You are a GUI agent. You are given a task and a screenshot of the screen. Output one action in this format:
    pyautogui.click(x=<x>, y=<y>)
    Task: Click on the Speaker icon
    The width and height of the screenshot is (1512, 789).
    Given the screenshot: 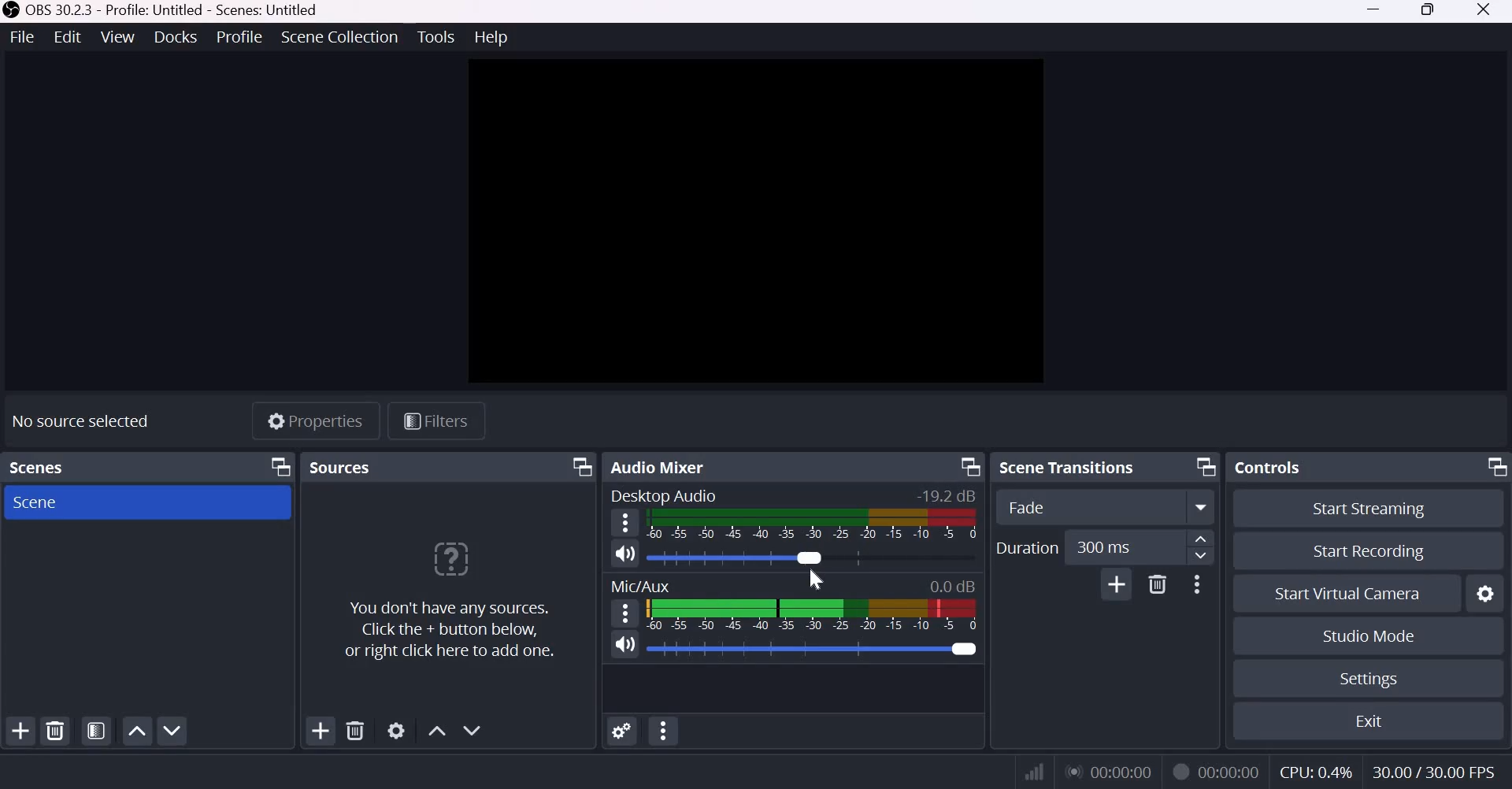 What is the action you would take?
    pyautogui.click(x=623, y=645)
    